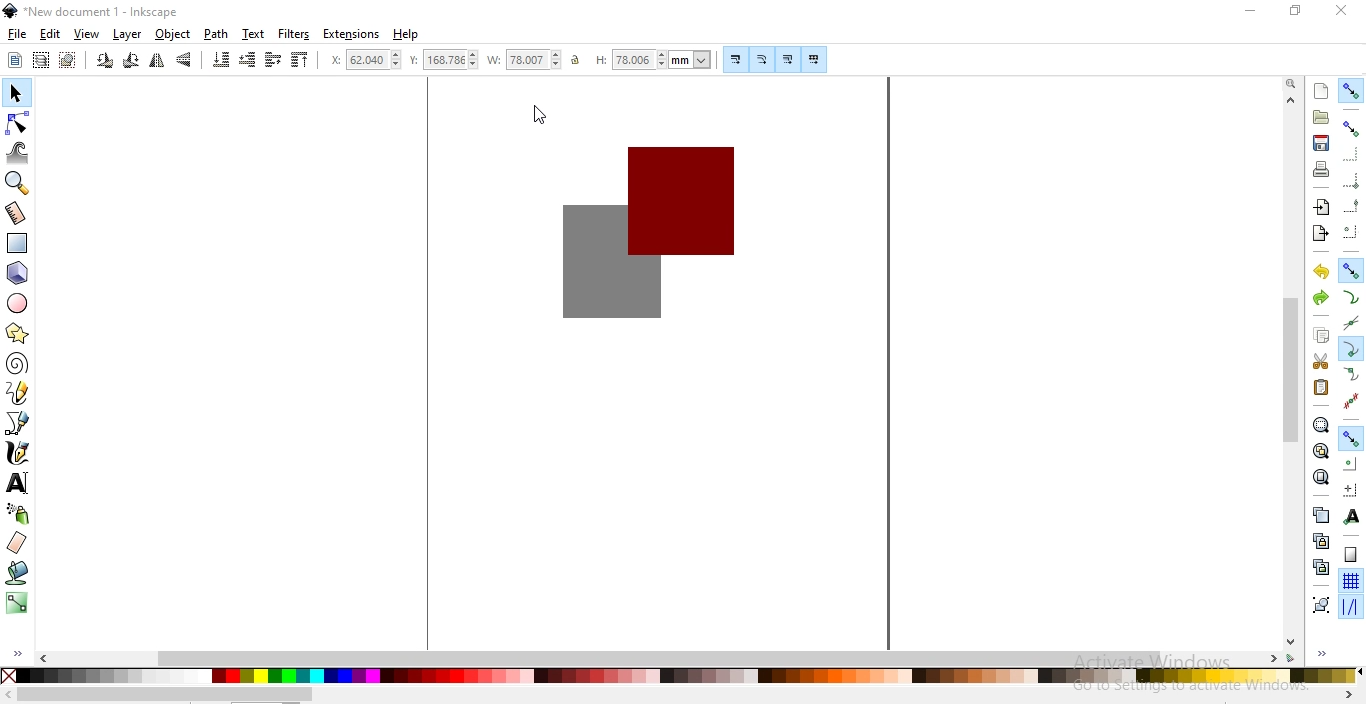 The width and height of the screenshot is (1366, 704). What do you see at coordinates (1349, 233) in the screenshot?
I see `snap centersof bounding boxes` at bounding box center [1349, 233].